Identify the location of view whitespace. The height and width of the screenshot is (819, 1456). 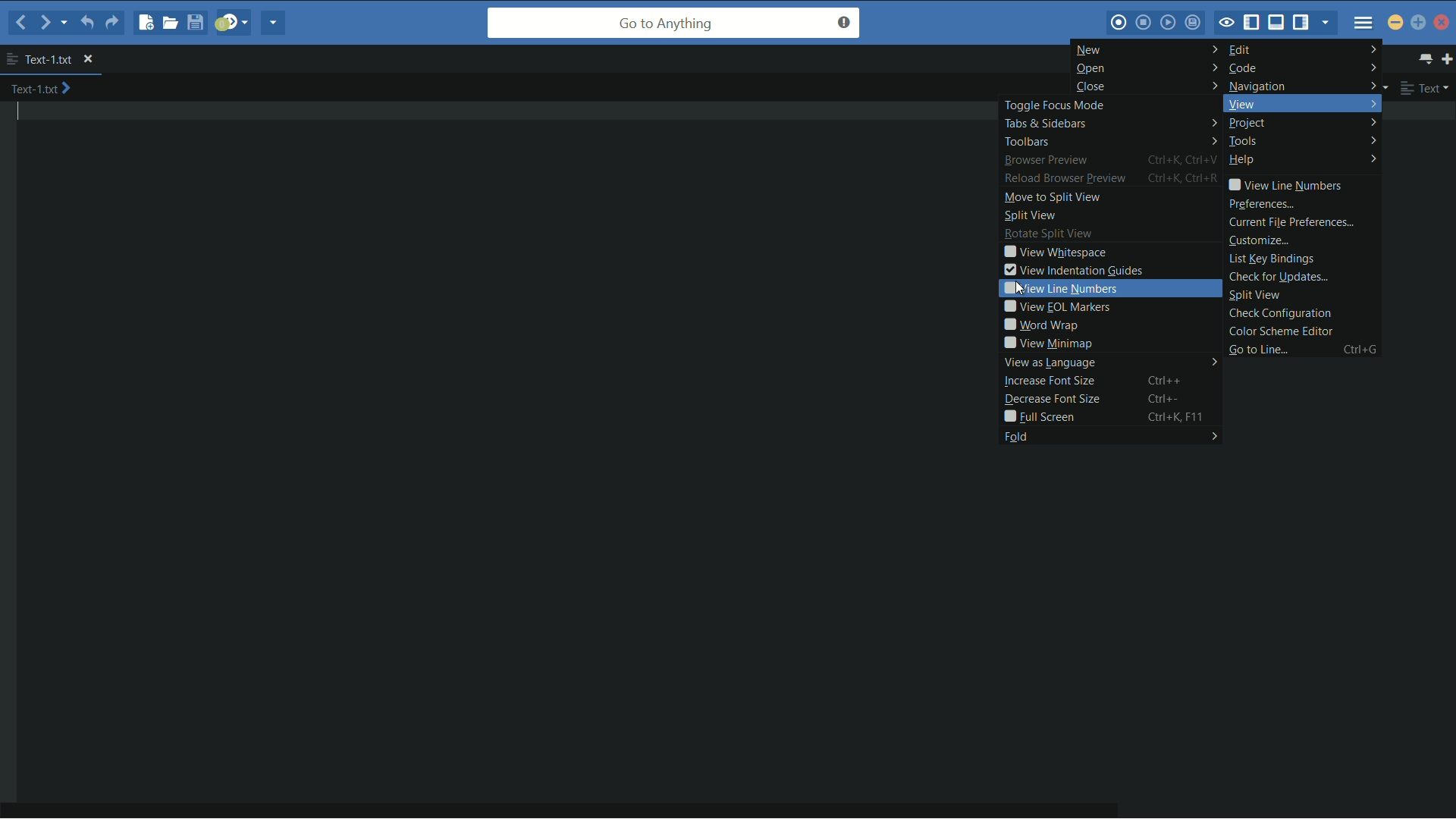
(1055, 253).